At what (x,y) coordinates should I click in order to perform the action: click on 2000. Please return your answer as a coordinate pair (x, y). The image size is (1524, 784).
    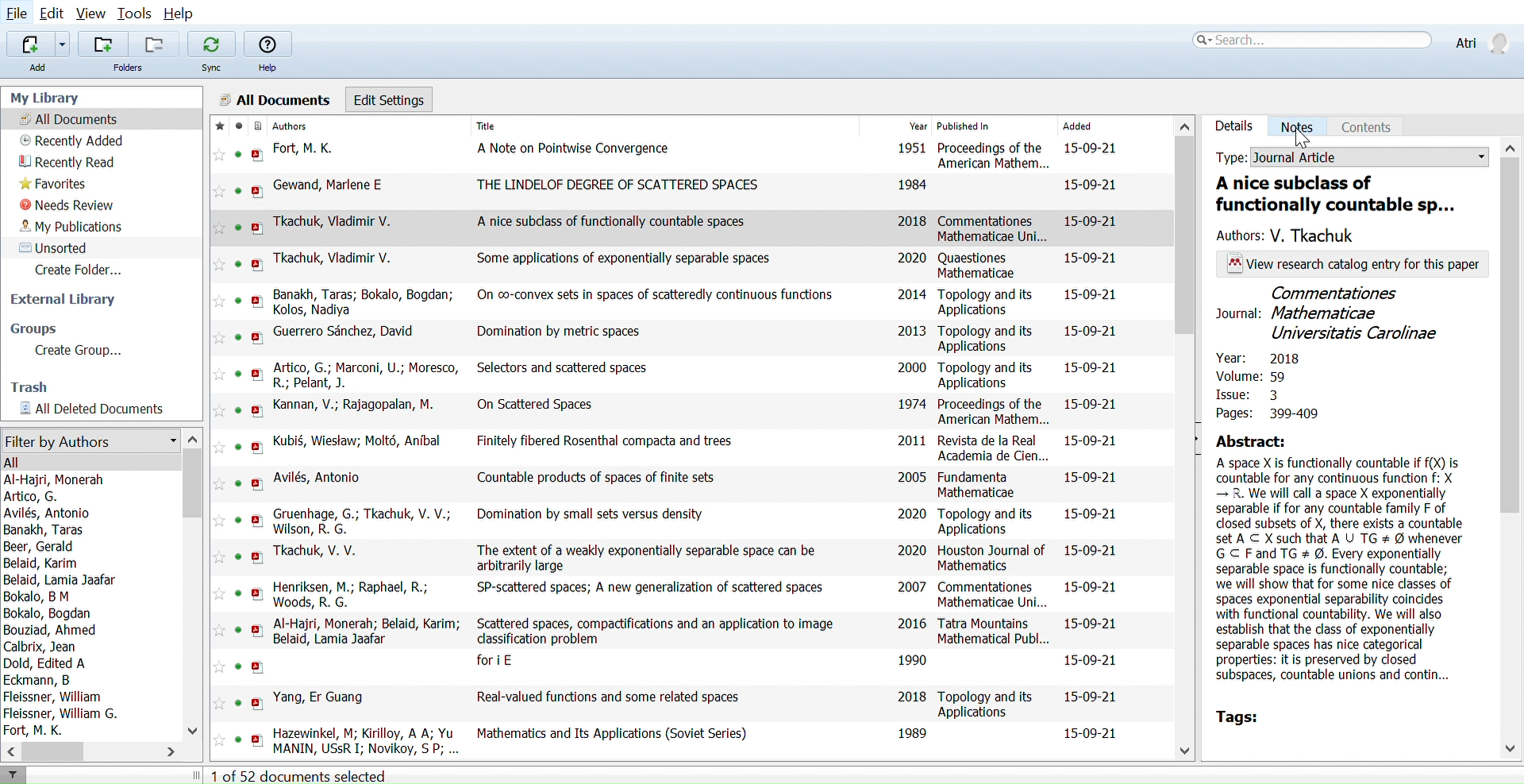
    Looking at the image, I should click on (912, 367).